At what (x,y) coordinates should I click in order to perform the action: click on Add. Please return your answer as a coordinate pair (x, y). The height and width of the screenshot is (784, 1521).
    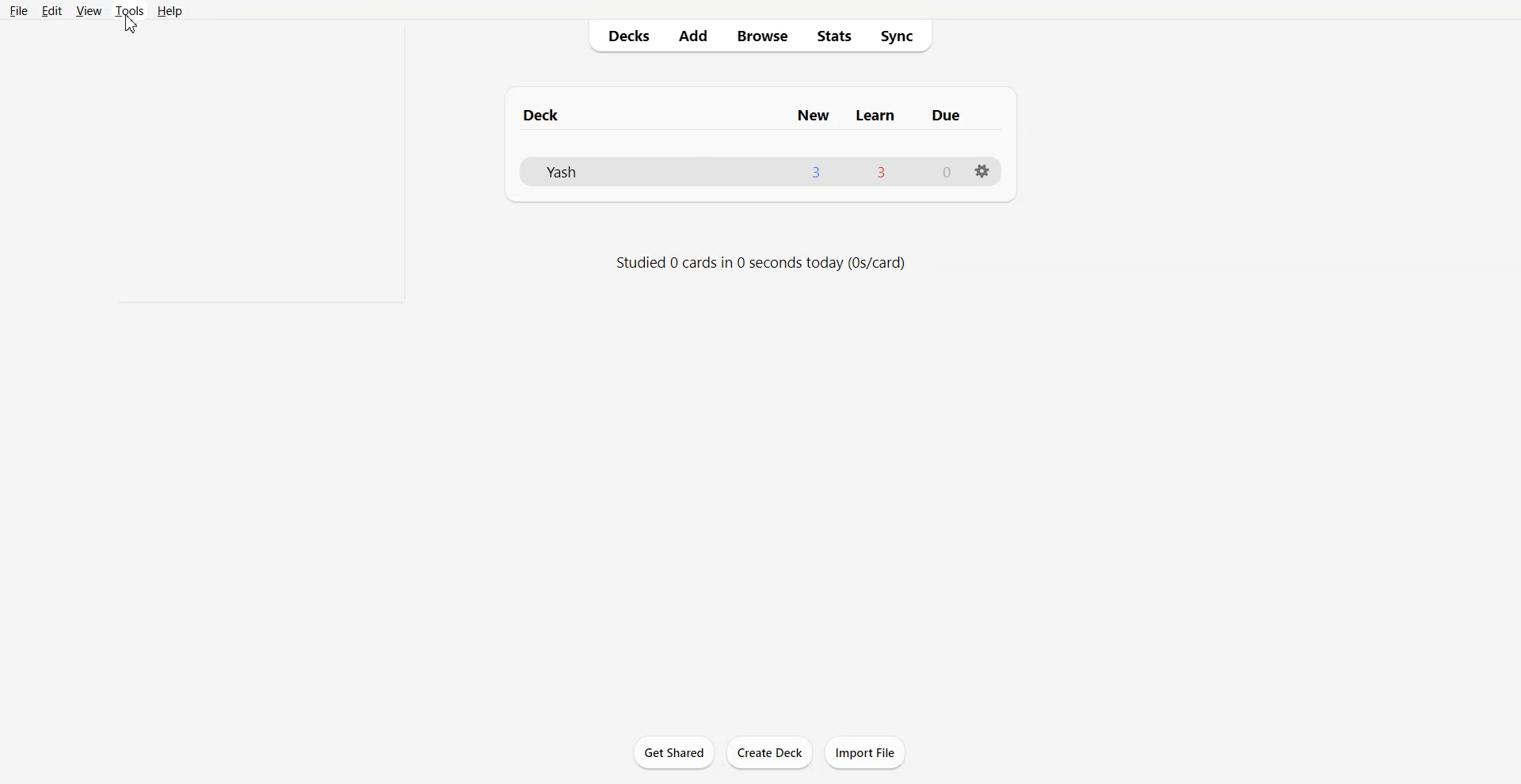
    Looking at the image, I should click on (693, 36).